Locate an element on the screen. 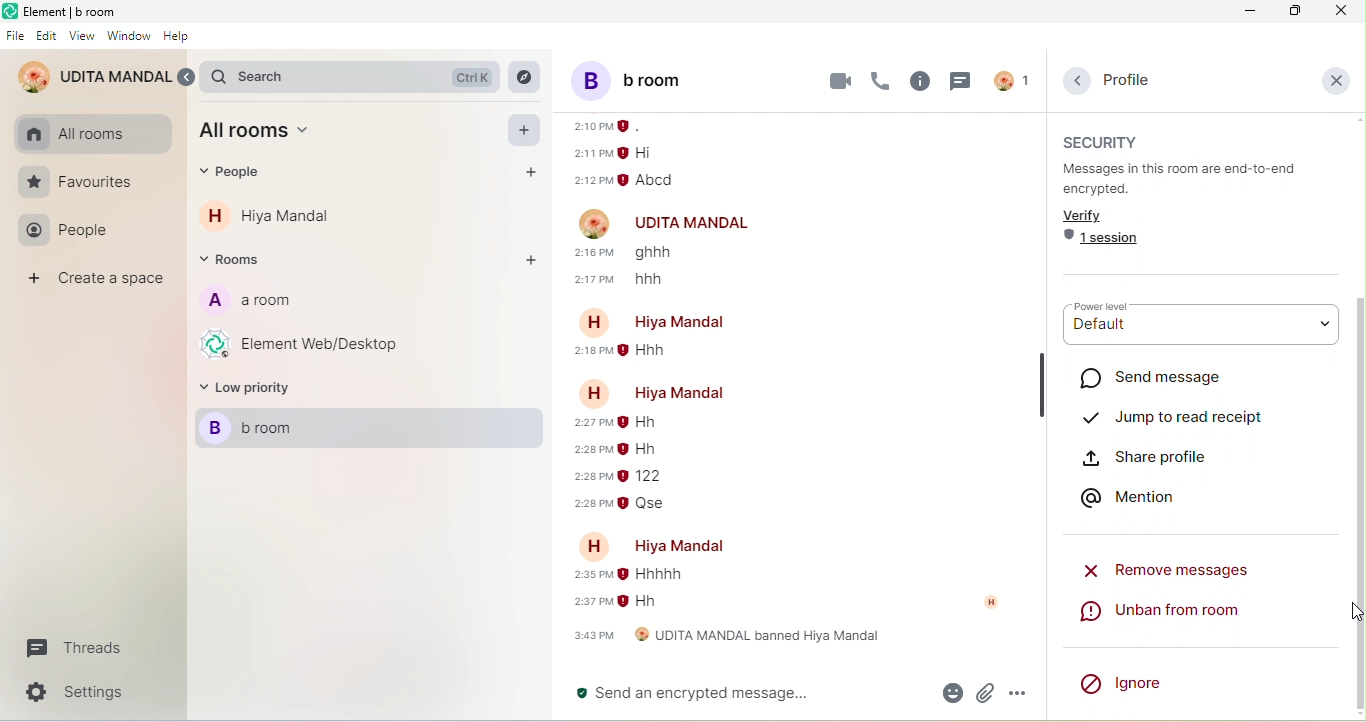 The height and width of the screenshot is (722, 1366). hi message  is located at coordinates (649, 154).